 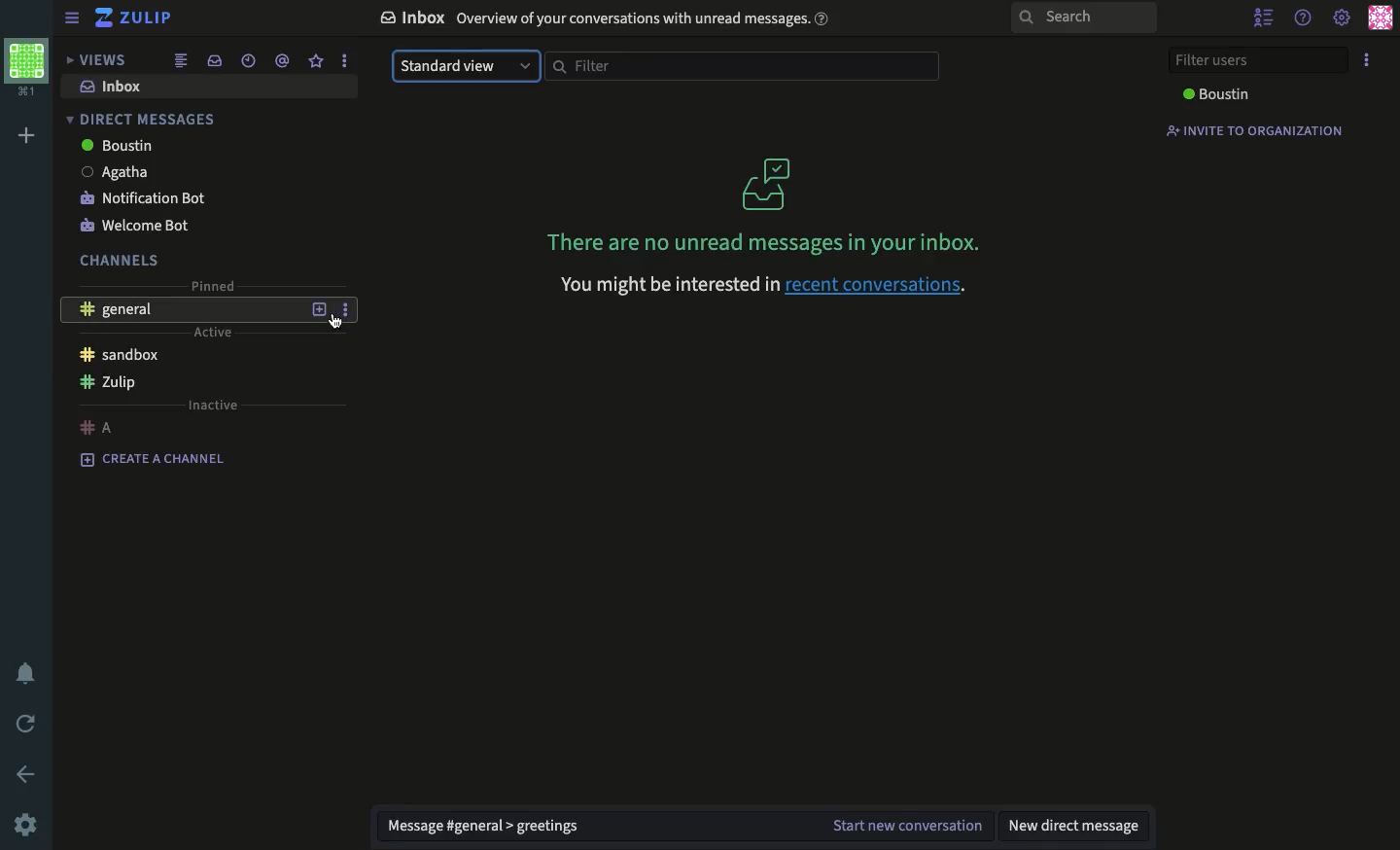 I want to click on general, so click(x=121, y=310).